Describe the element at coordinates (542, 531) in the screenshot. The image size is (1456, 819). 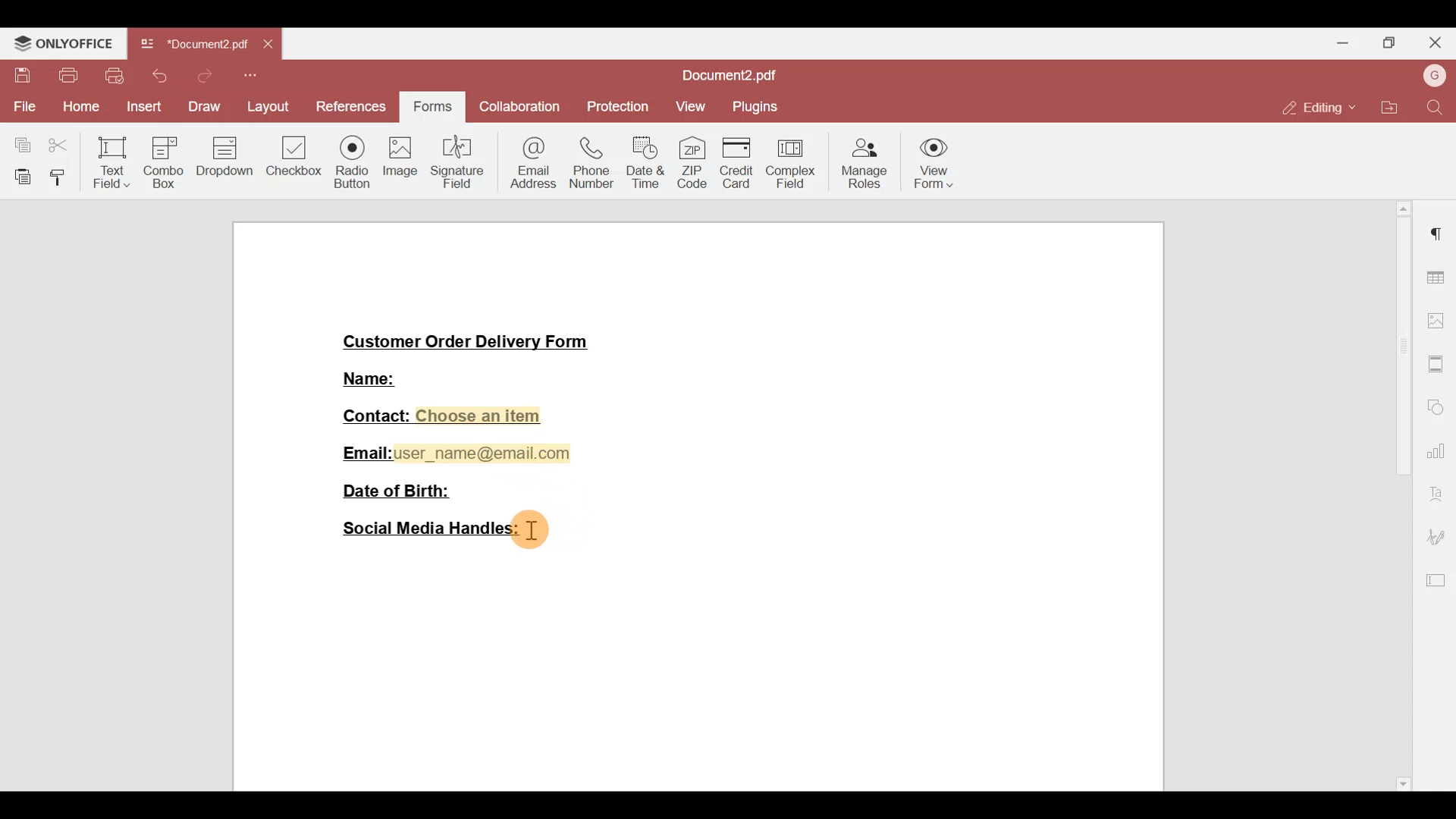
I see `Cursor` at that location.